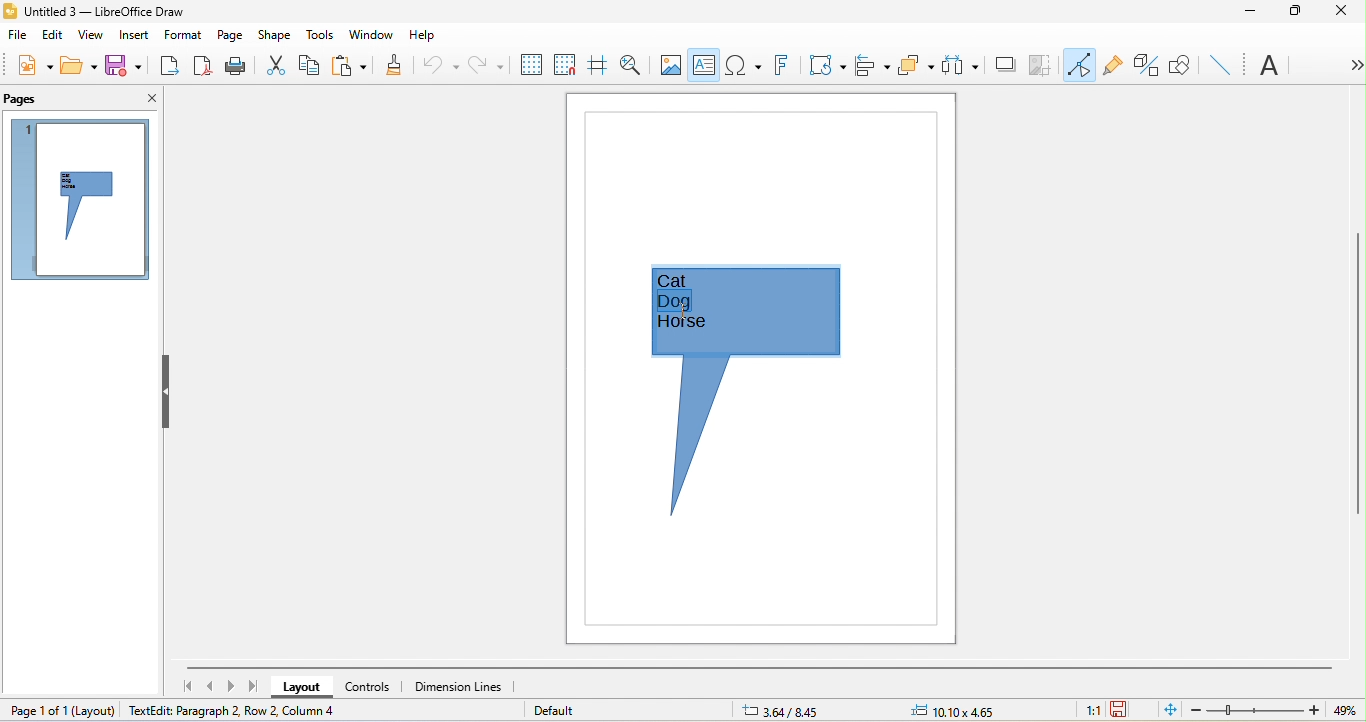 The height and width of the screenshot is (722, 1366). What do you see at coordinates (28, 65) in the screenshot?
I see `new` at bounding box center [28, 65].